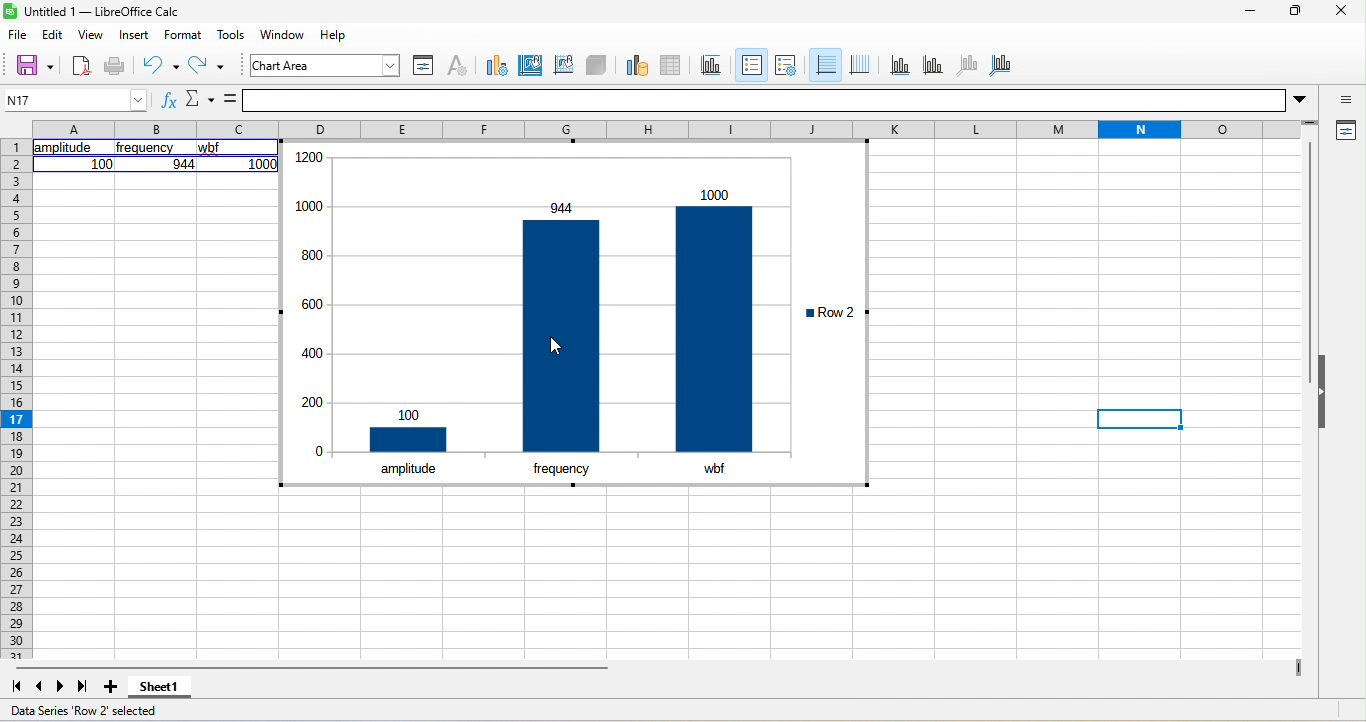 The height and width of the screenshot is (722, 1366). What do you see at coordinates (27, 65) in the screenshot?
I see `save` at bounding box center [27, 65].